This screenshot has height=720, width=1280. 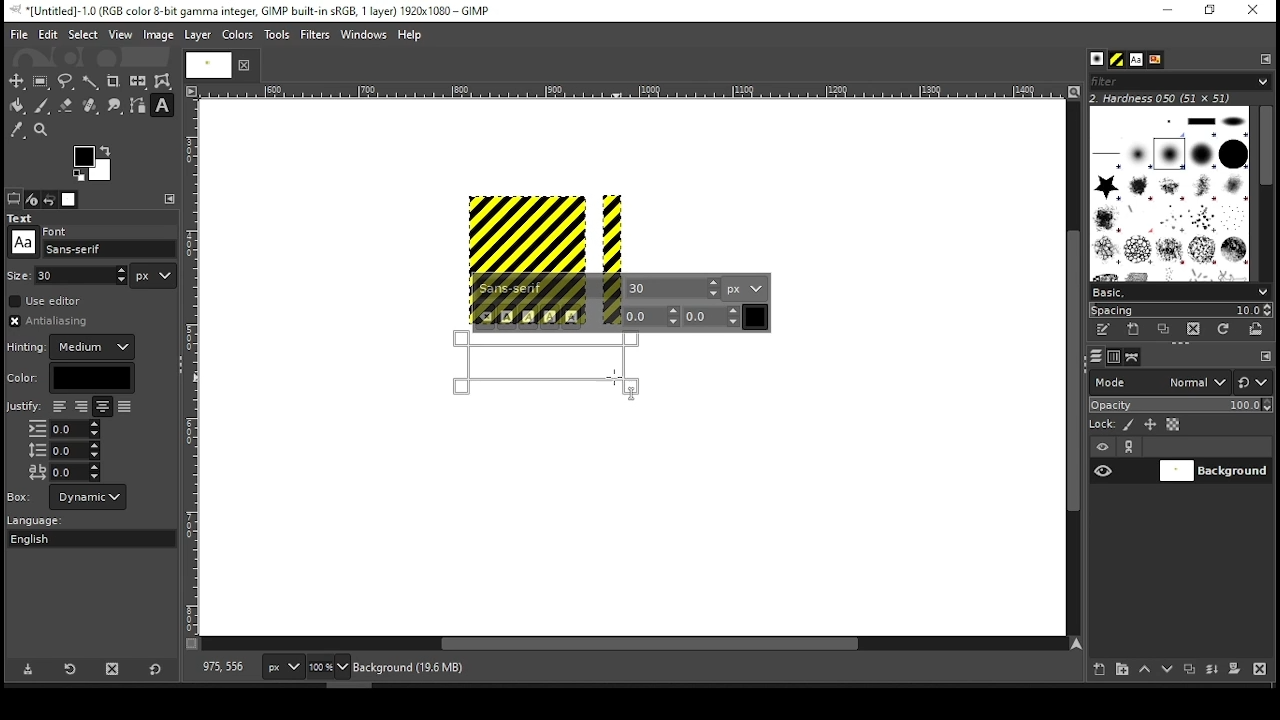 What do you see at coordinates (1166, 98) in the screenshot?
I see `2. hardness 050 (51x51)` at bounding box center [1166, 98].